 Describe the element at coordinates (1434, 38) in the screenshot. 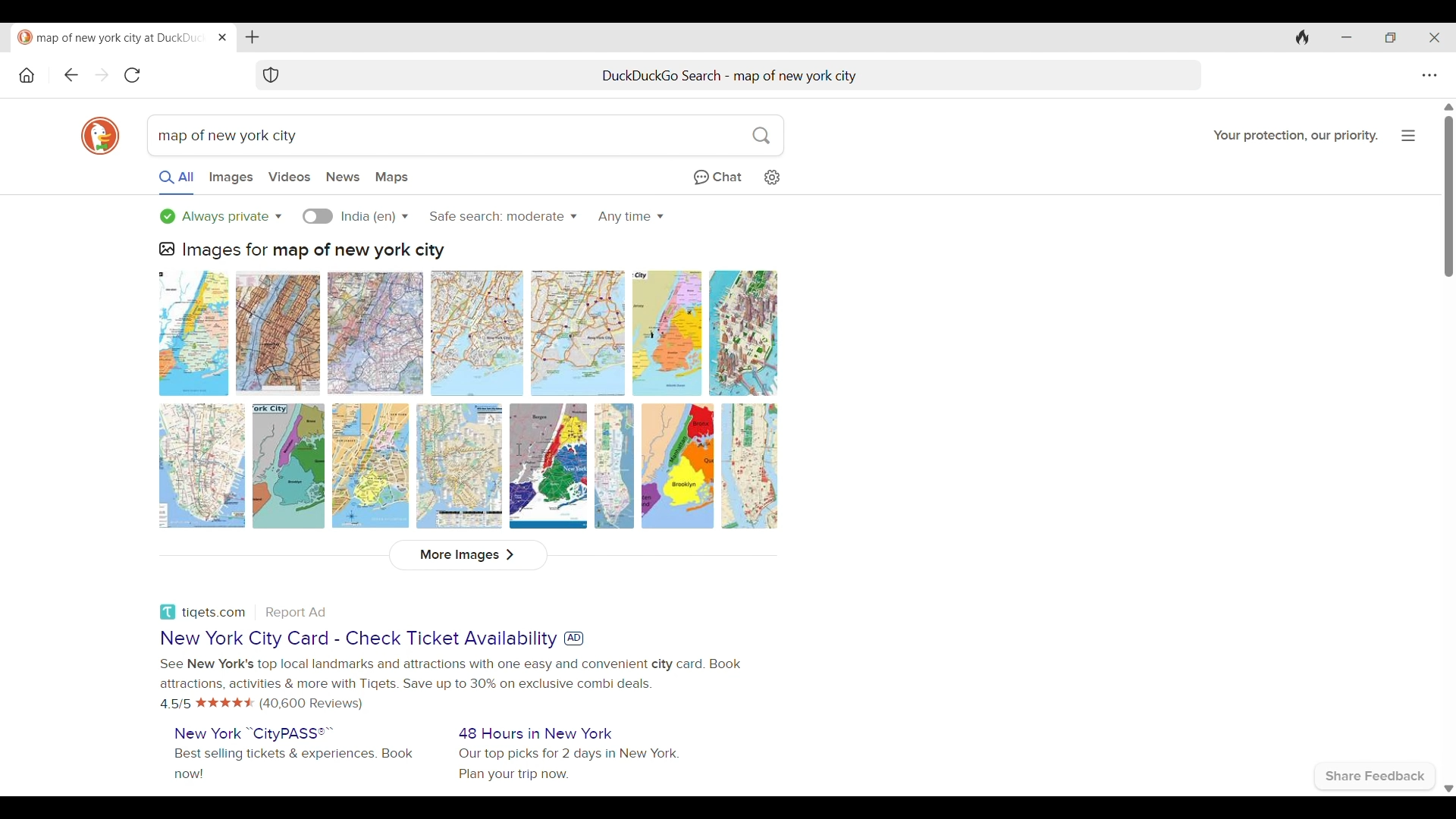

I see `Close browser` at that location.